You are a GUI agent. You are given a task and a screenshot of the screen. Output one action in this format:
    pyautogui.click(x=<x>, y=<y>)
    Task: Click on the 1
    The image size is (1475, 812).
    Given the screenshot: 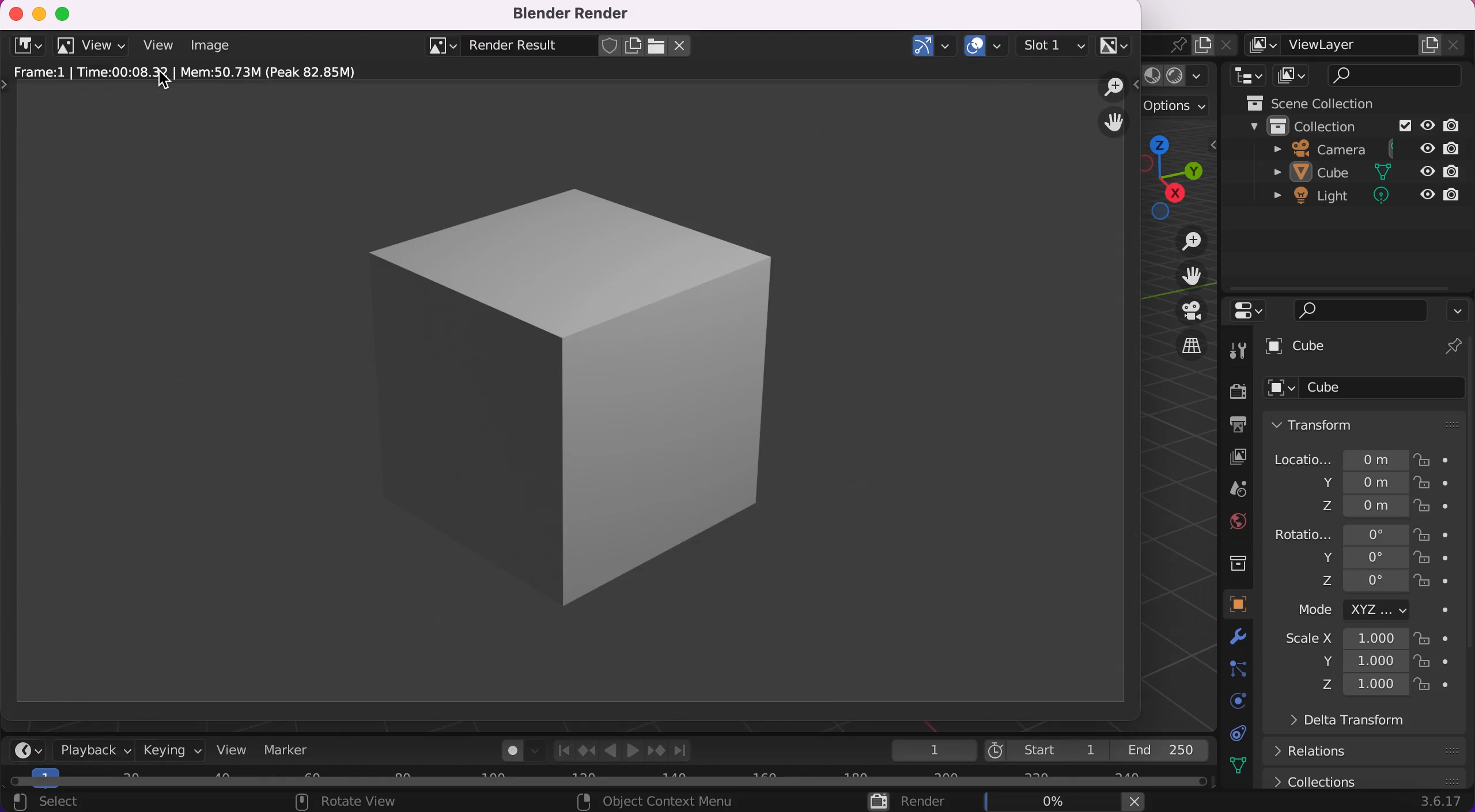 What is the action you would take?
    pyautogui.click(x=928, y=749)
    